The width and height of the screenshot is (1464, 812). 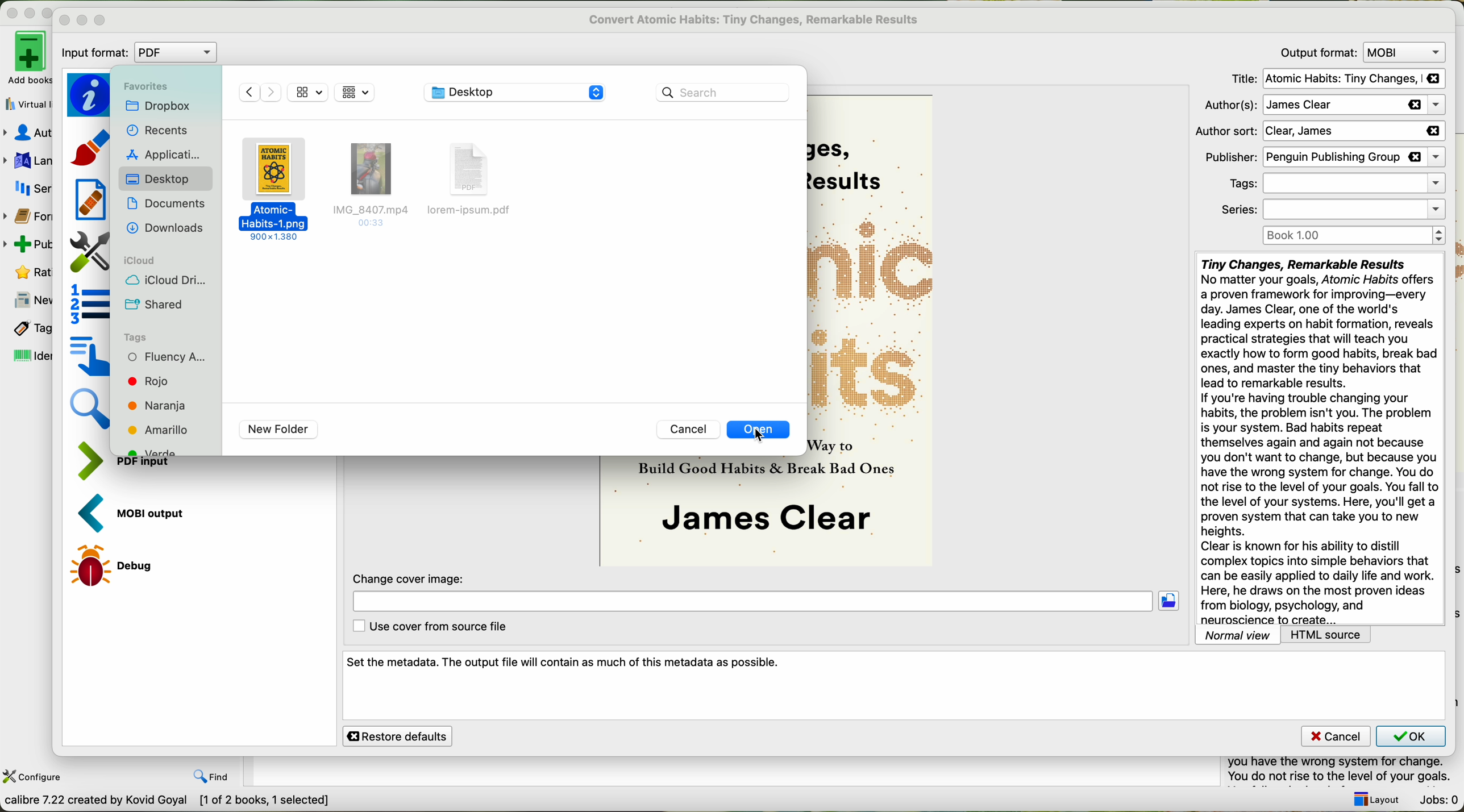 What do you see at coordinates (411, 578) in the screenshot?
I see `change cover image` at bounding box center [411, 578].